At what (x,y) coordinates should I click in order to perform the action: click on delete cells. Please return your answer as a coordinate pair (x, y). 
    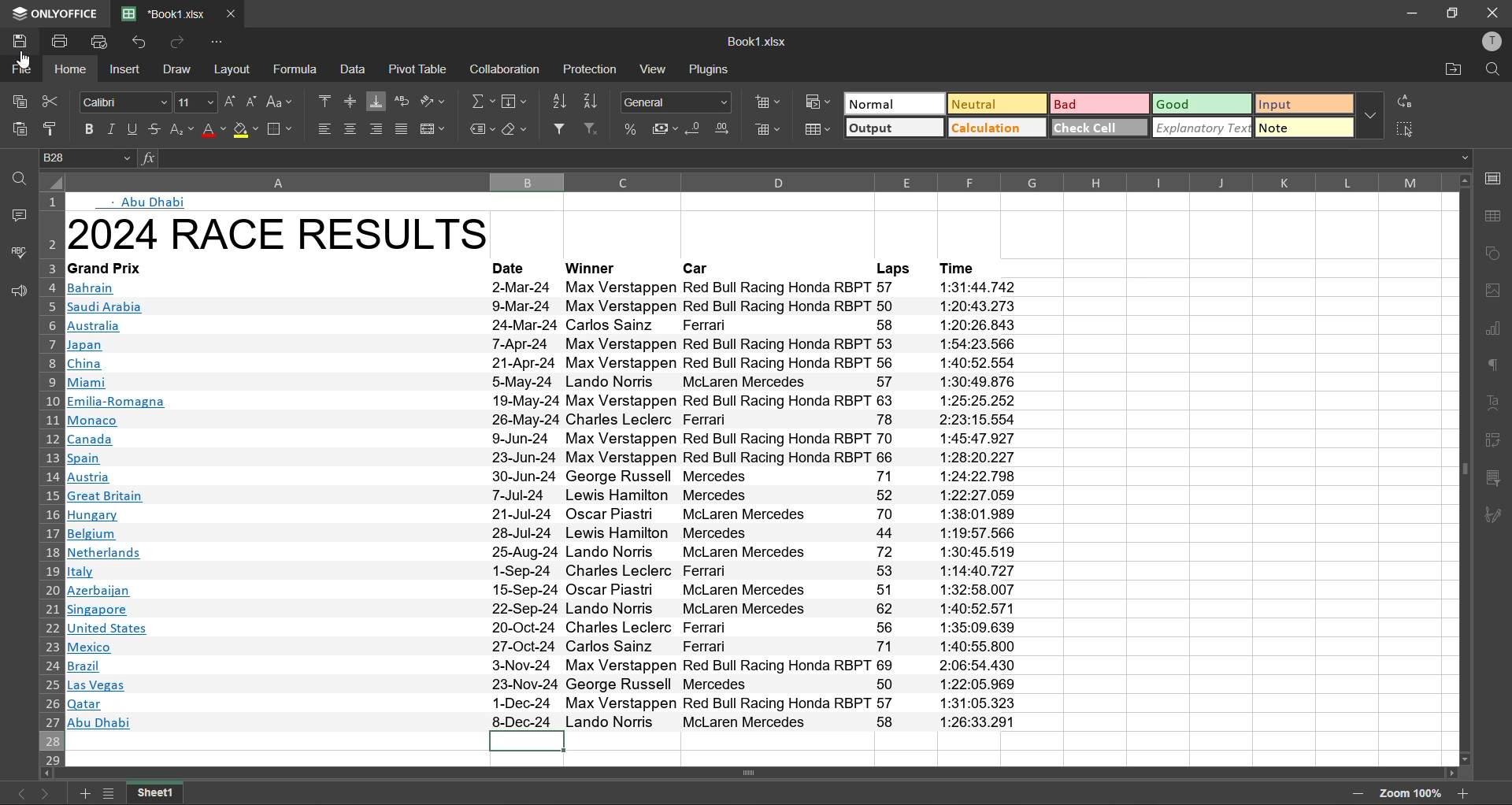
    Looking at the image, I should click on (771, 129).